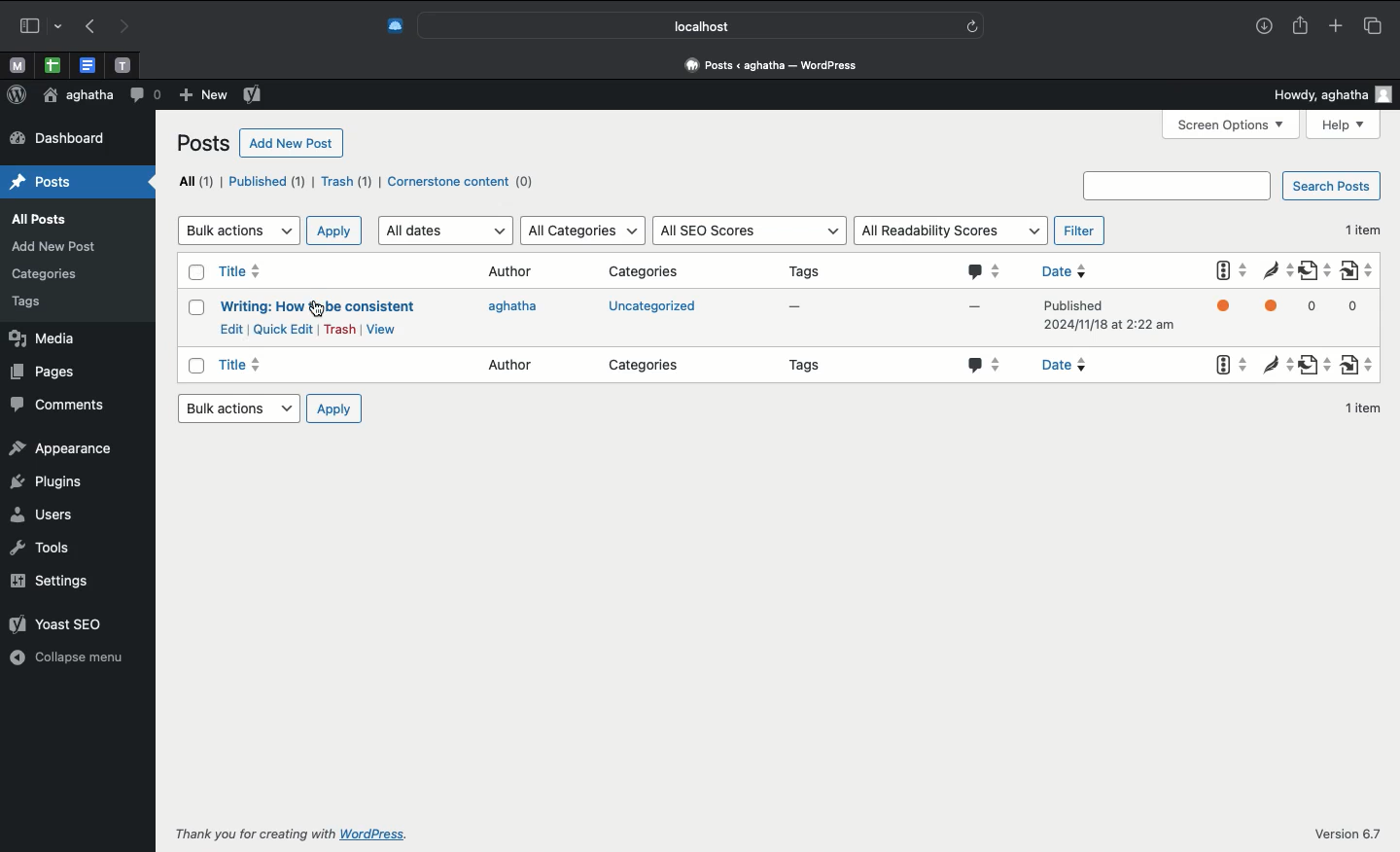  Describe the element at coordinates (236, 229) in the screenshot. I see `Bulk actions` at that location.